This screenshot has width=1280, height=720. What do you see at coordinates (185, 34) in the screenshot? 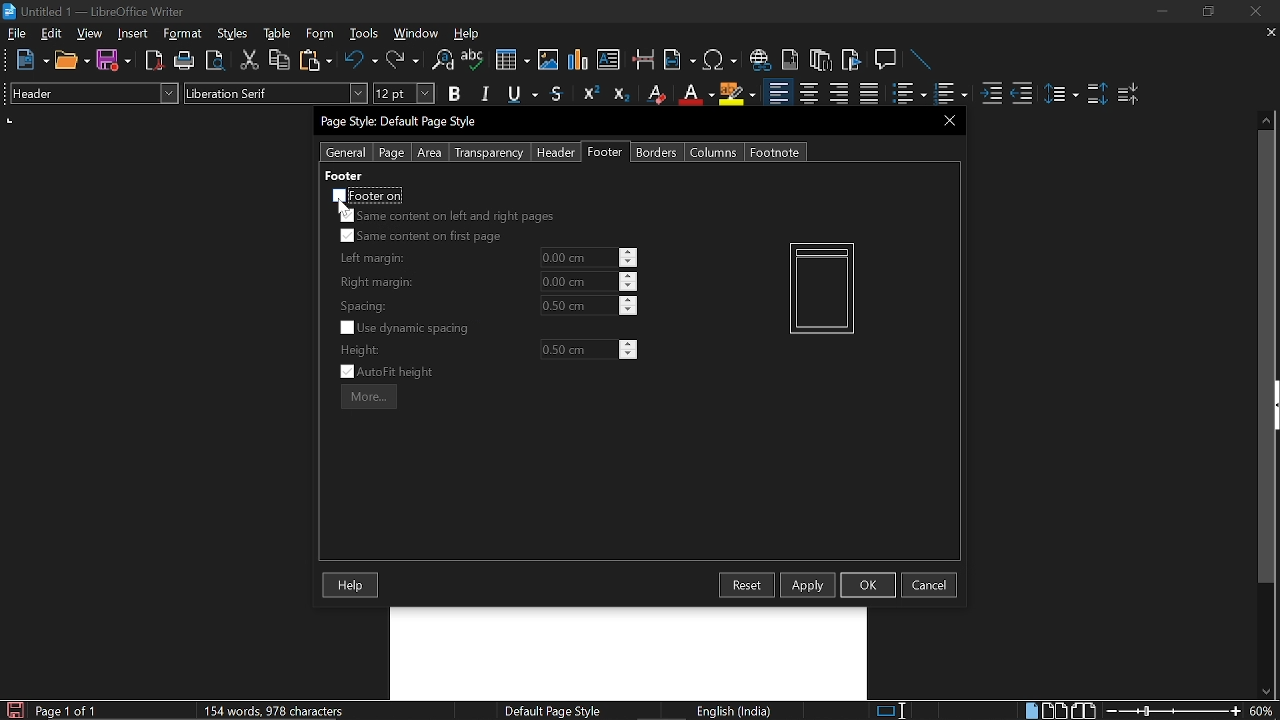
I see `Format` at bounding box center [185, 34].